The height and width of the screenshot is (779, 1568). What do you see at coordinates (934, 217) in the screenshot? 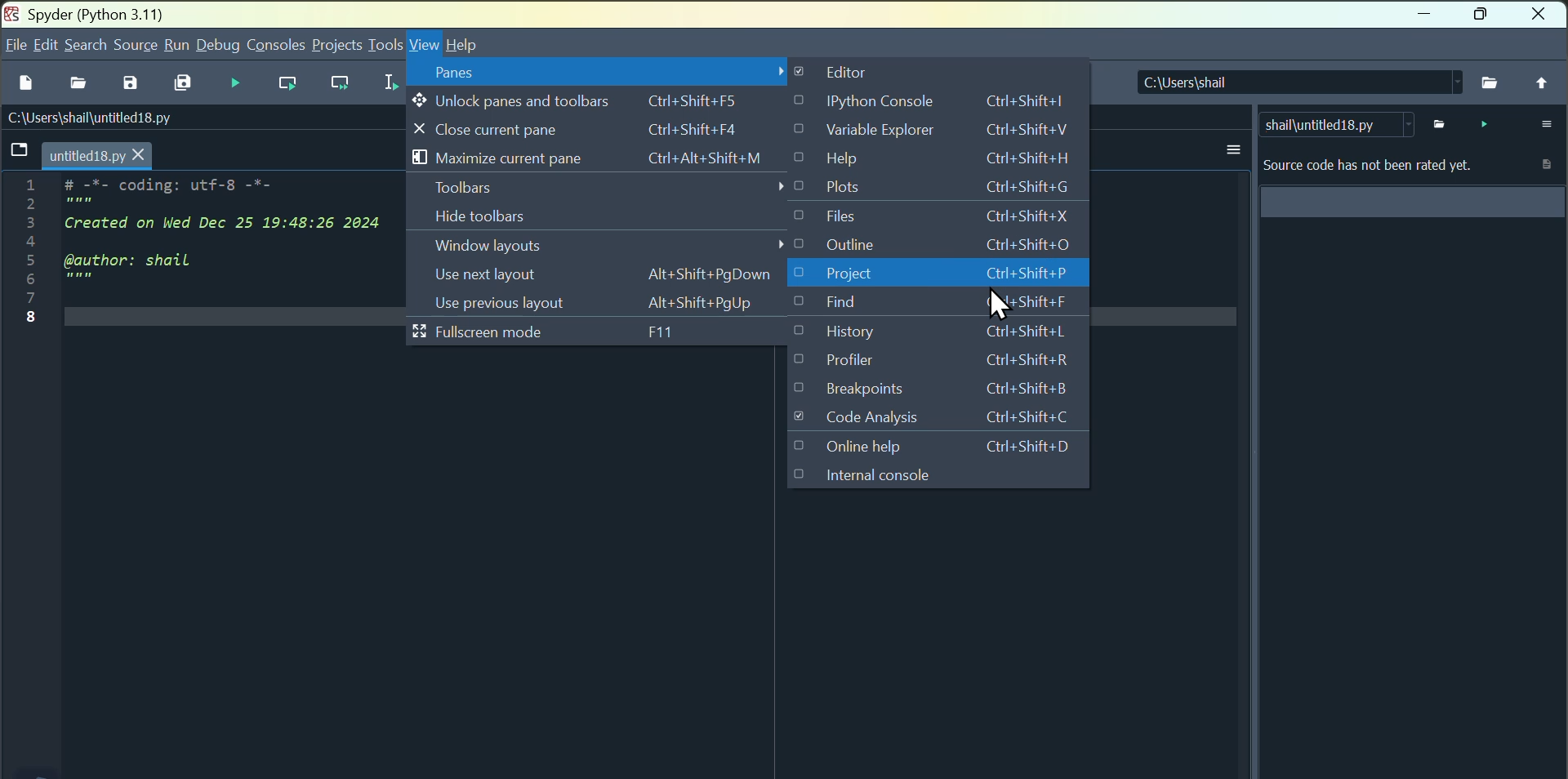
I see `files` at bounding box center [934, 217].